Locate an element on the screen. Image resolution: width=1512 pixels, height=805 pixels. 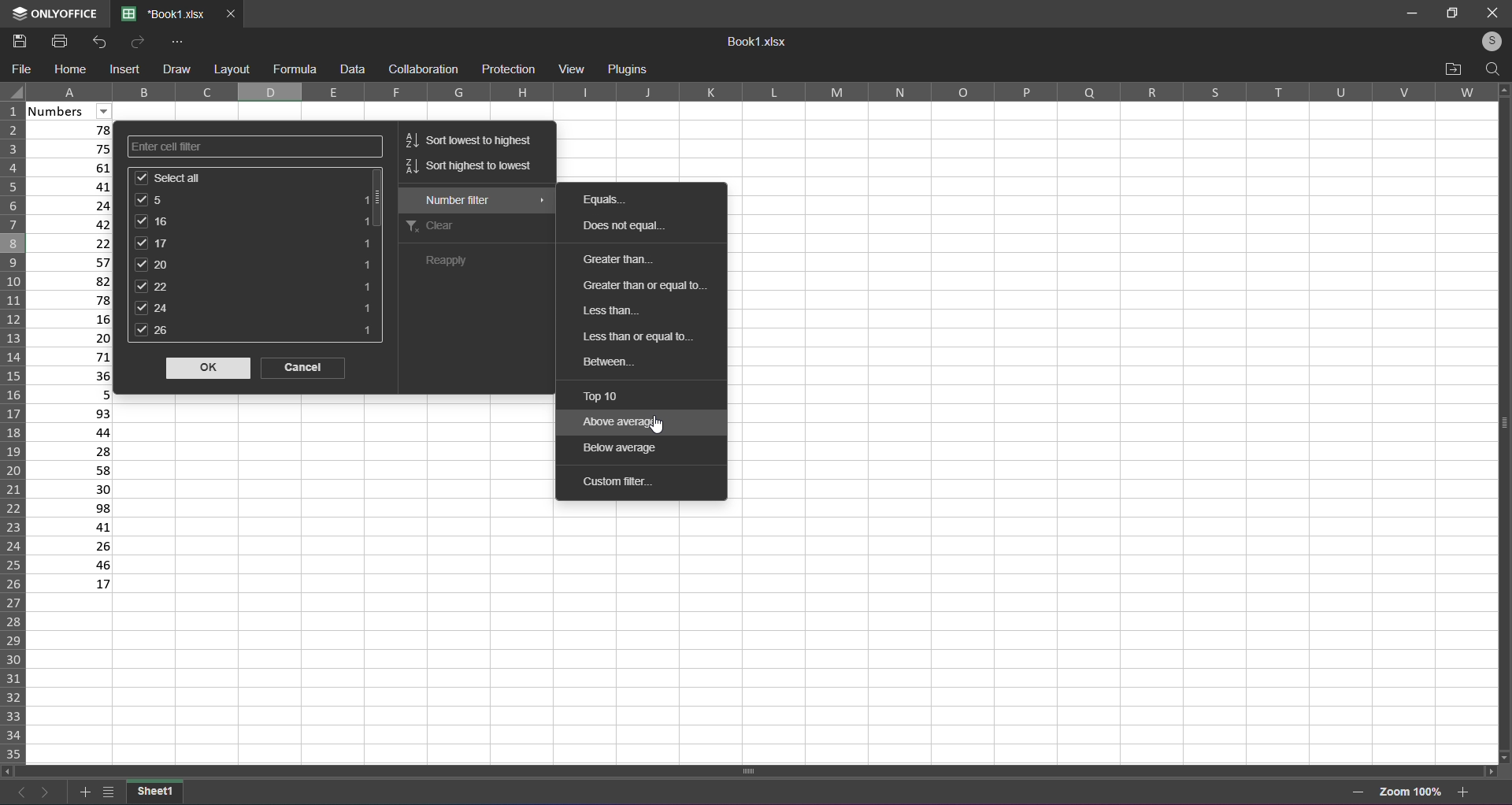
greater than is located at coordinates (641, 258).